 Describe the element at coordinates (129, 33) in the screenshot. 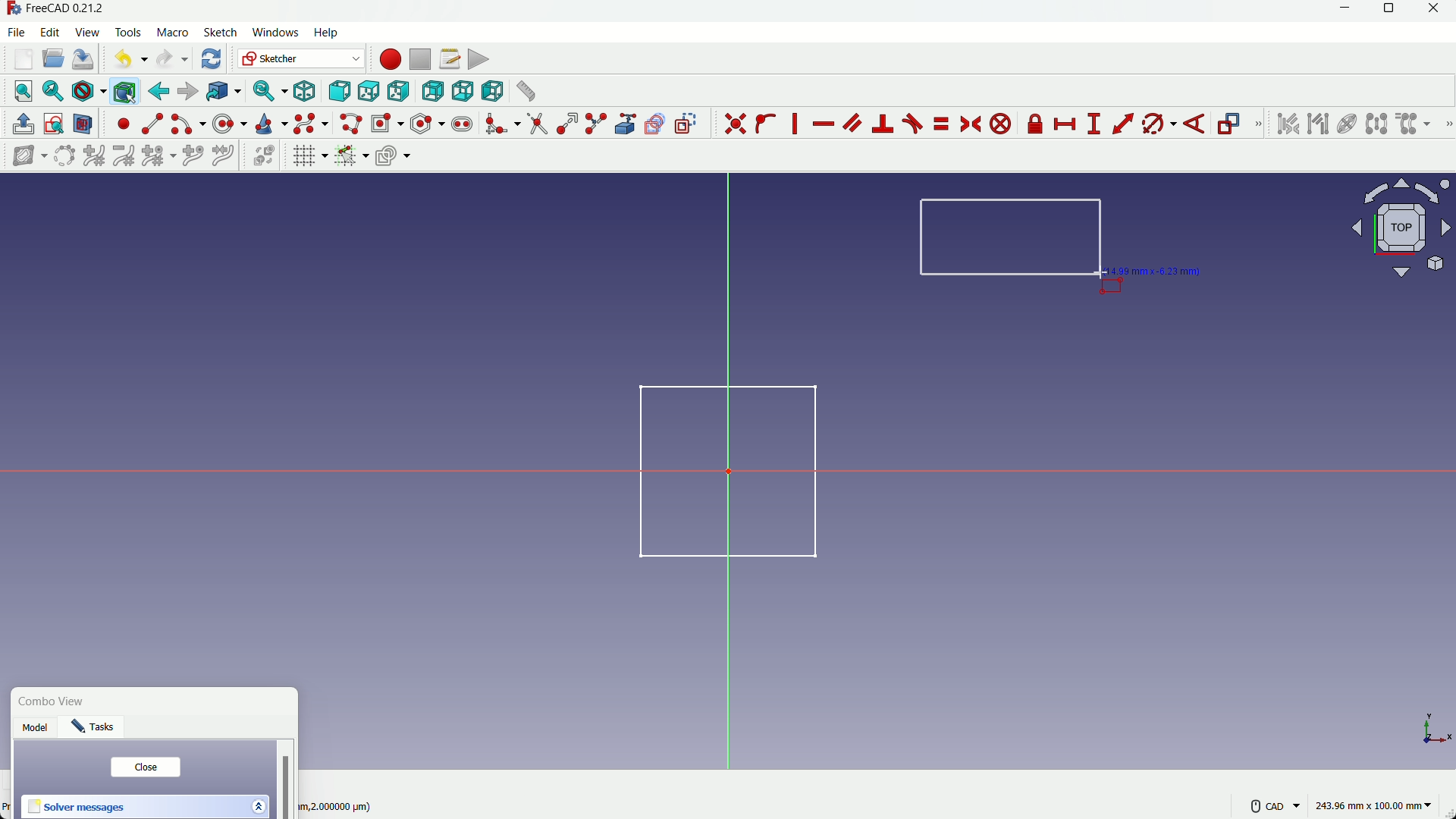

I see `tools menu` at that location.